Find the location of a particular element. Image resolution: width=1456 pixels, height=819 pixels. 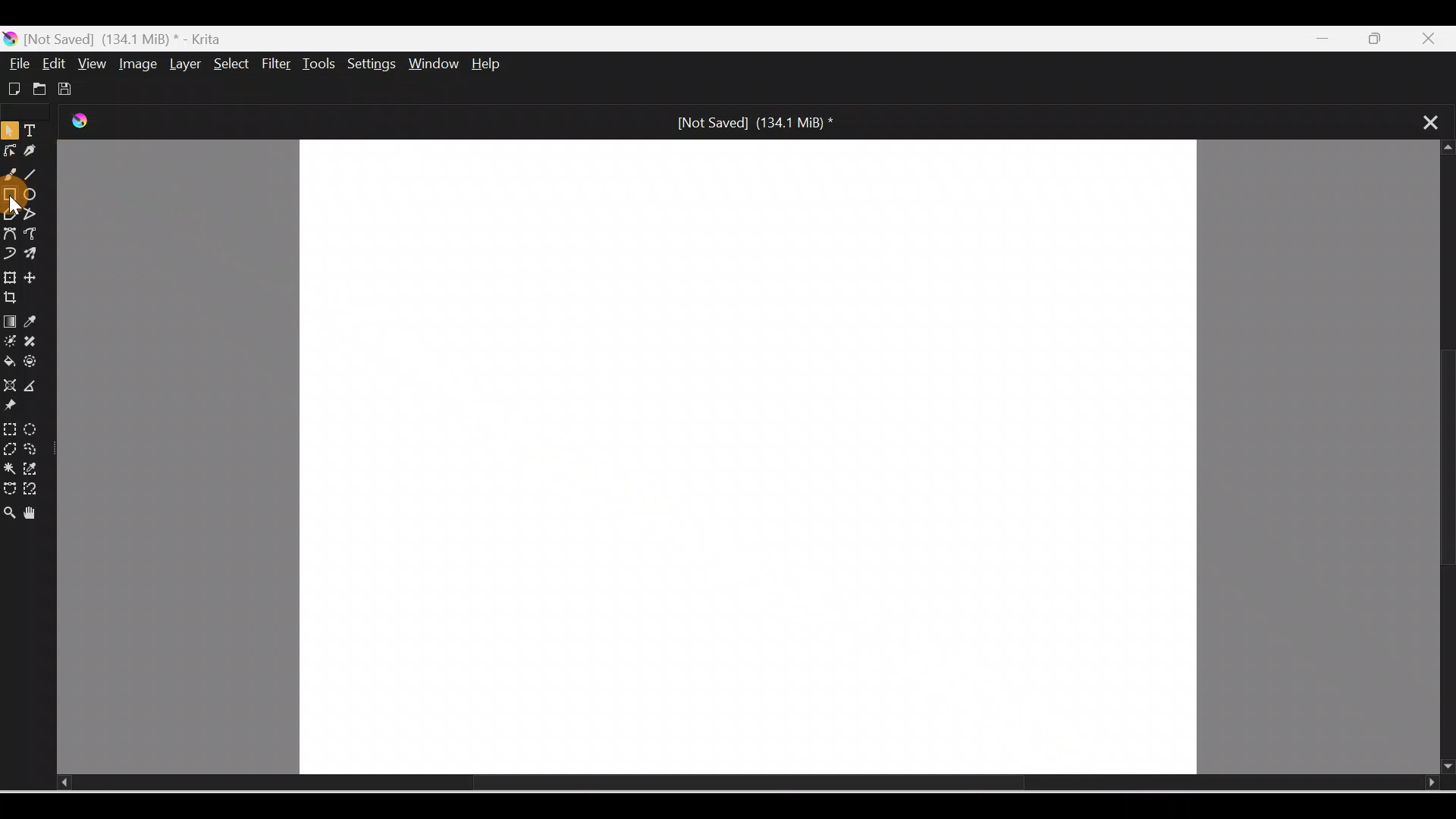

Freehand brush tool is located at coordinates (12, 177).